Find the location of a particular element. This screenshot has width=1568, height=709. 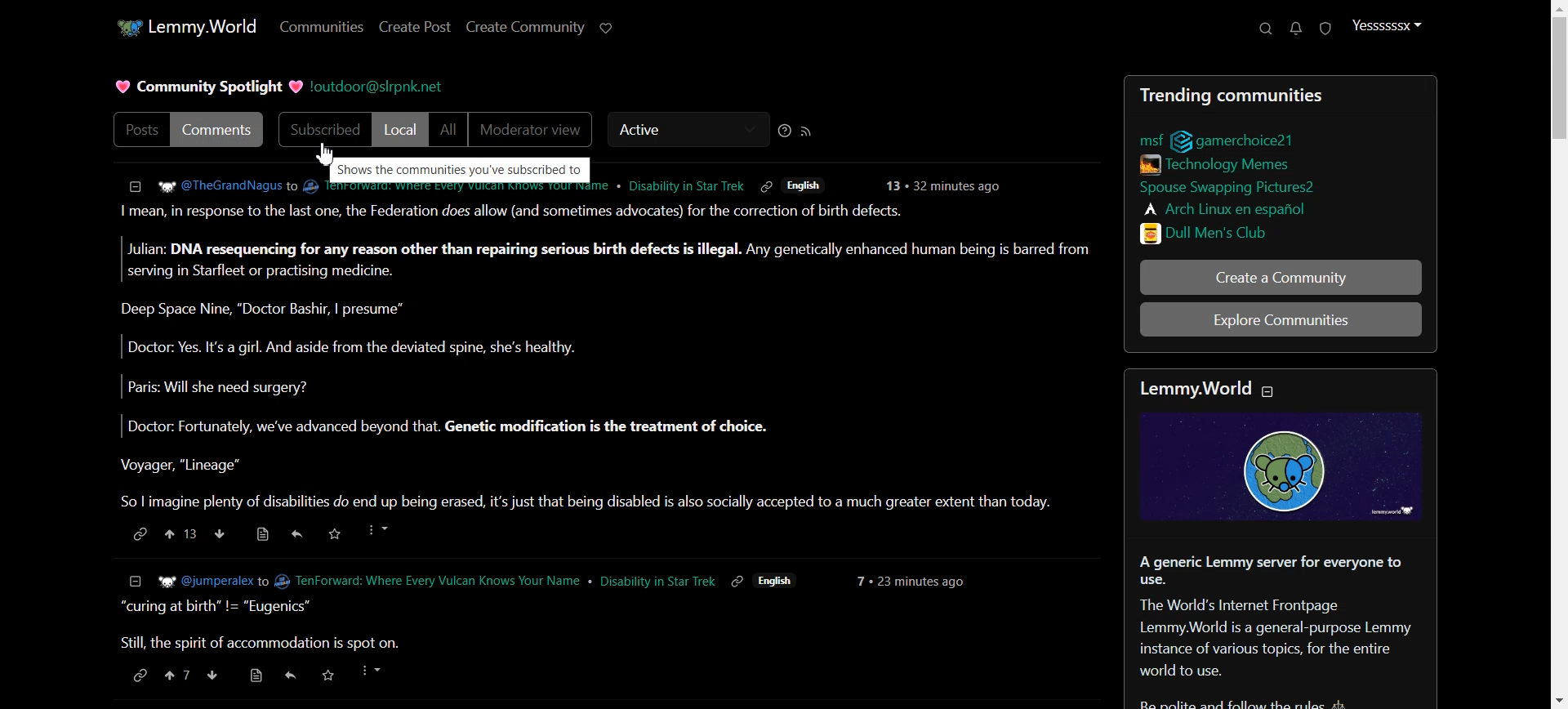

All is located at coordinates (448, 131).